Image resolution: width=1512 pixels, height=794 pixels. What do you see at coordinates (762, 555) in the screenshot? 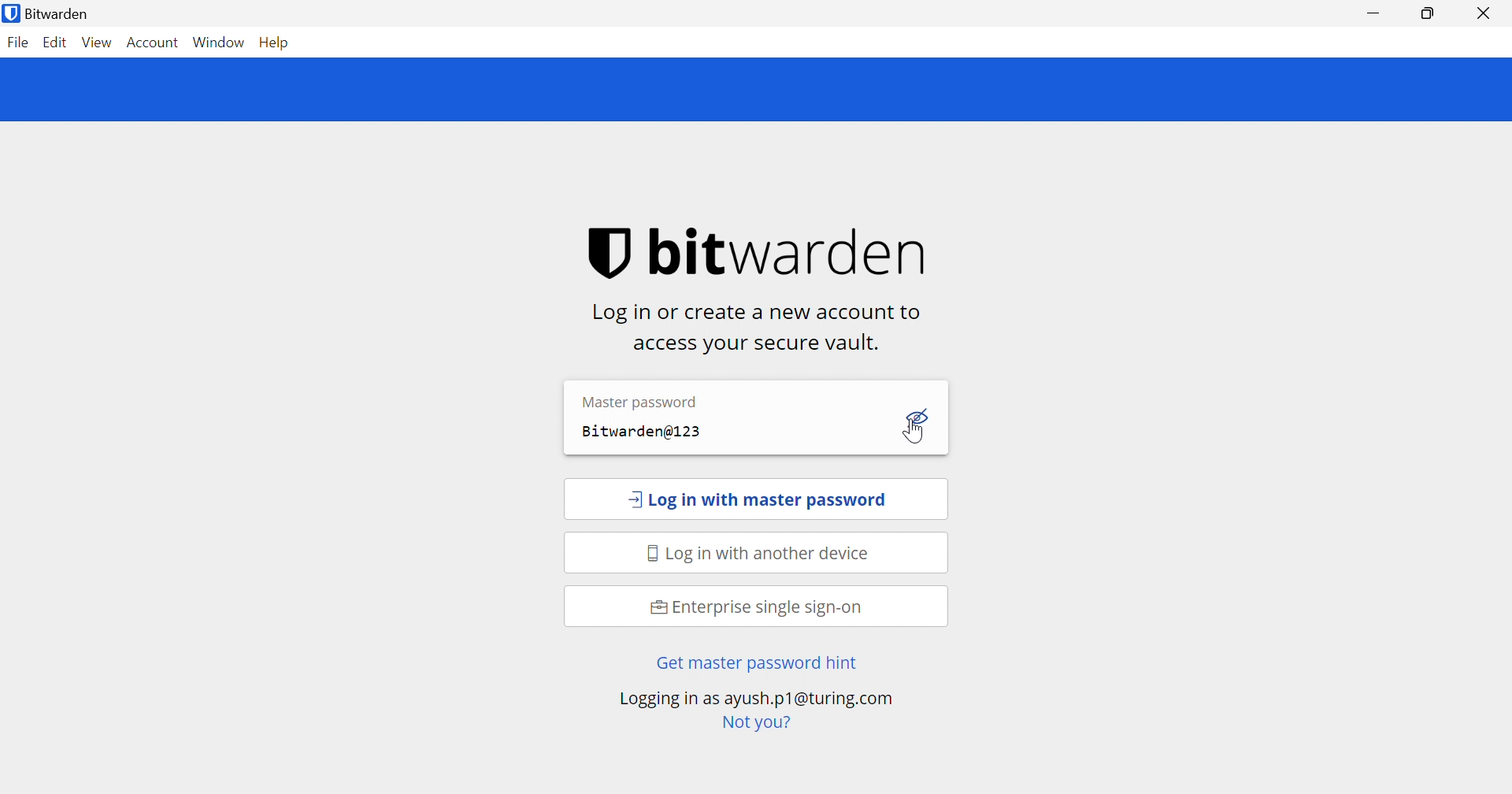
I see `Log in with another device` at bounding box center [762, 555].